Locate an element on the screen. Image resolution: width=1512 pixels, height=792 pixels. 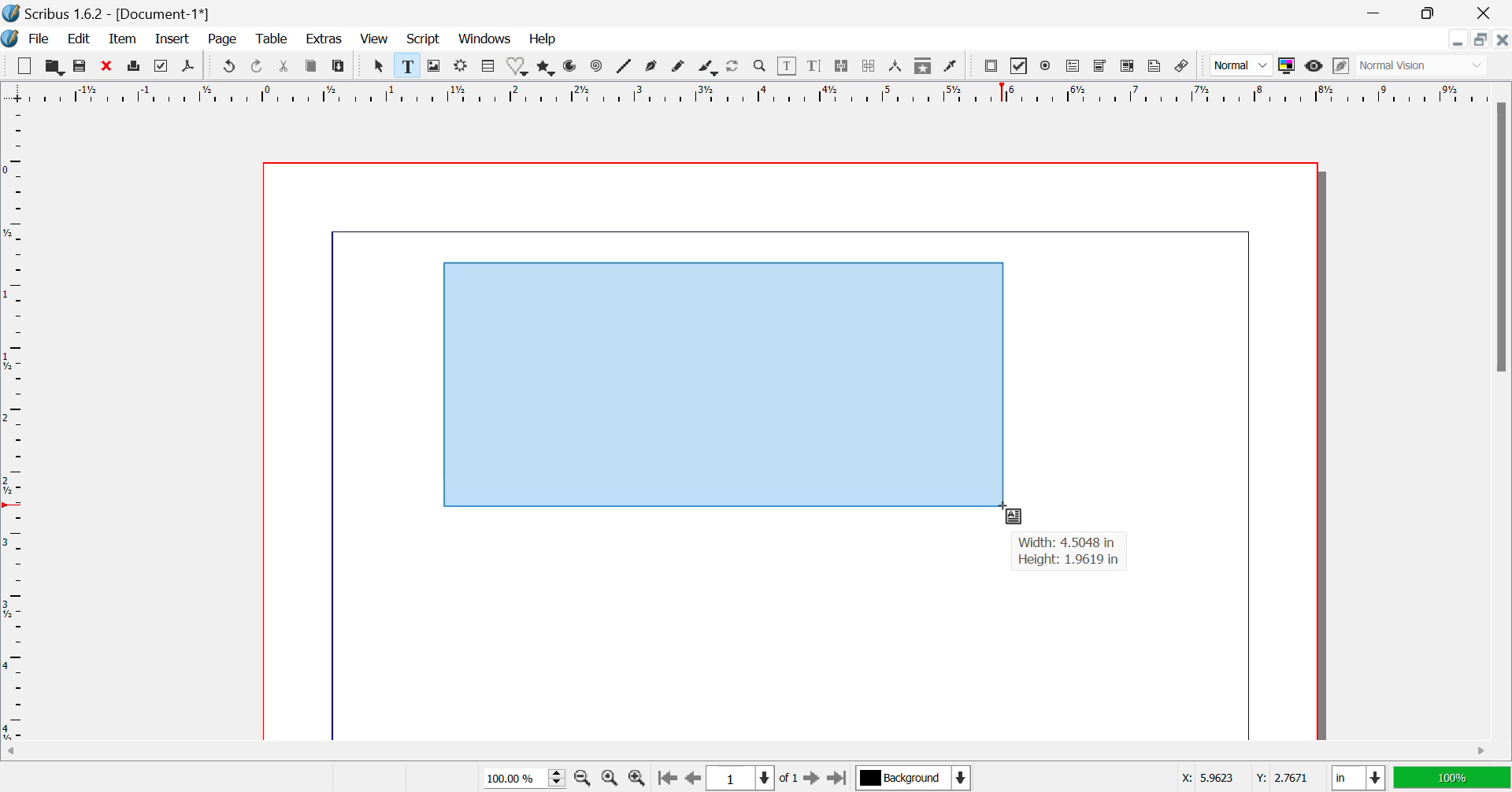
Refresh is located at coordinates (736, 68).